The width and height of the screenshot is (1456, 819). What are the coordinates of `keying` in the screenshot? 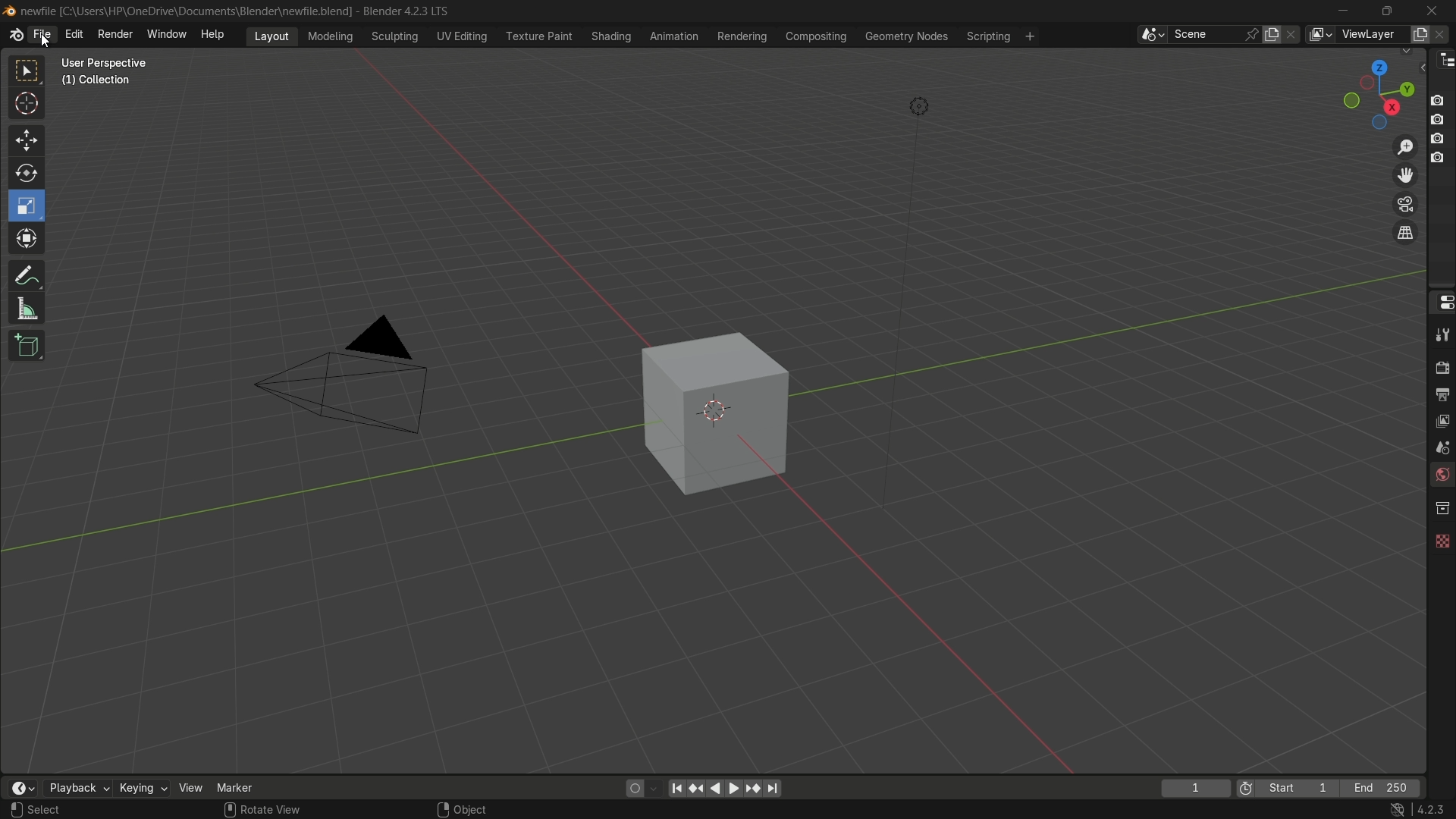 It's located at (142, 789).